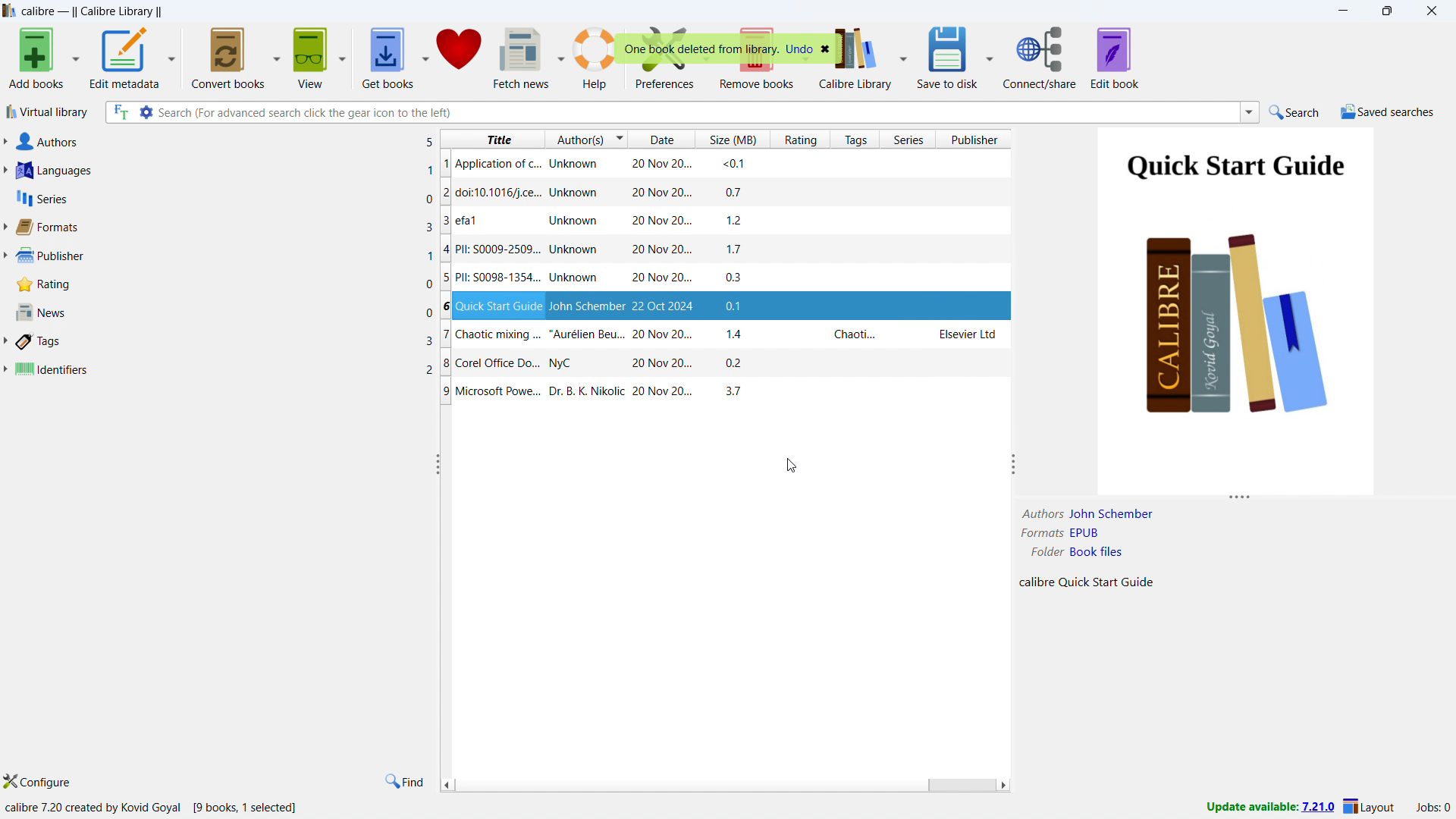 Image resolution: width=1456 pixels, height=819 pixels. What do you see at coordinates (36, 56) in the screenshot?
I see `add books` at bounding box center [36, 56].